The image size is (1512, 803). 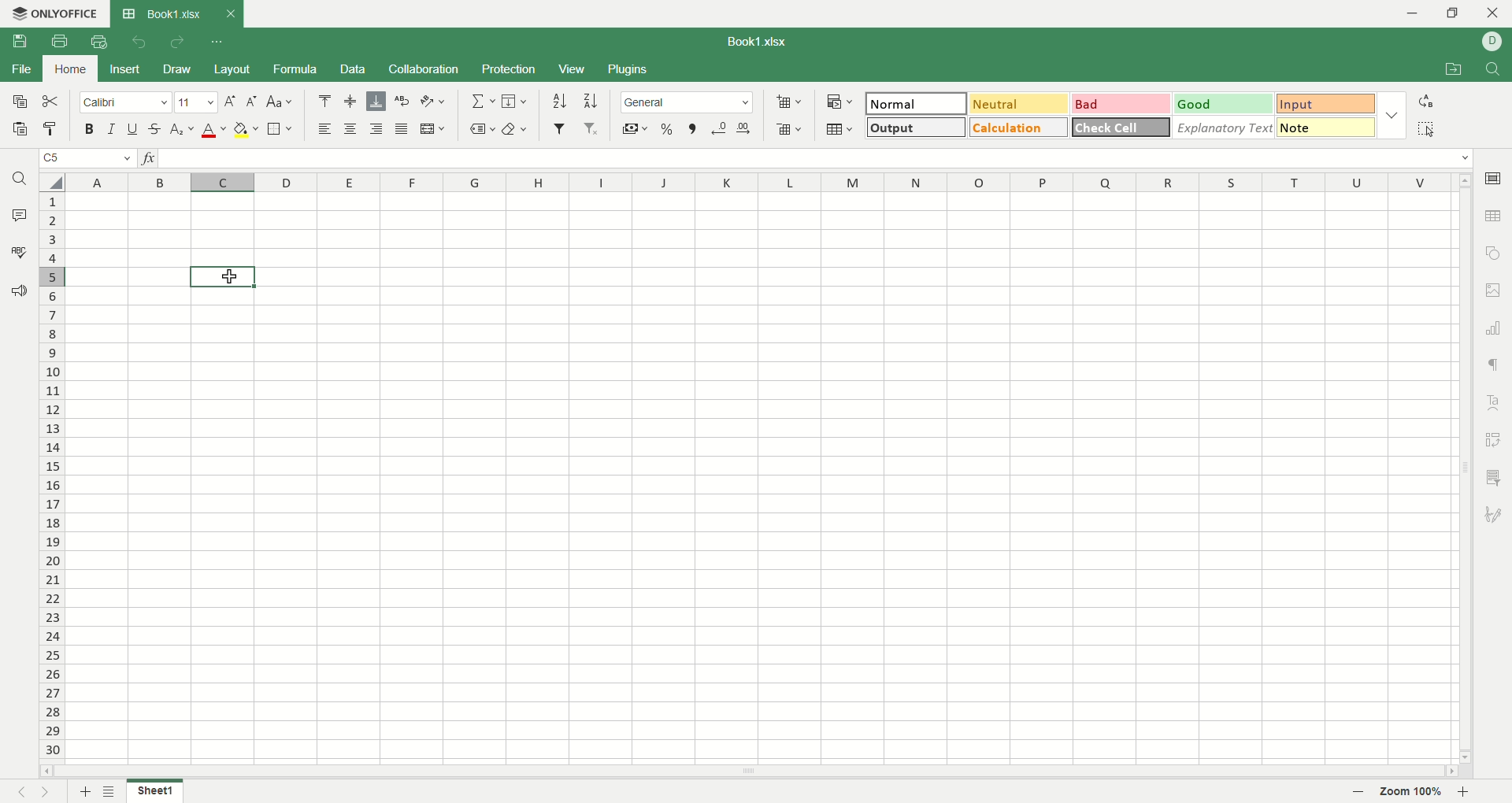 I want to click on paste, so click(x=20, y=131).